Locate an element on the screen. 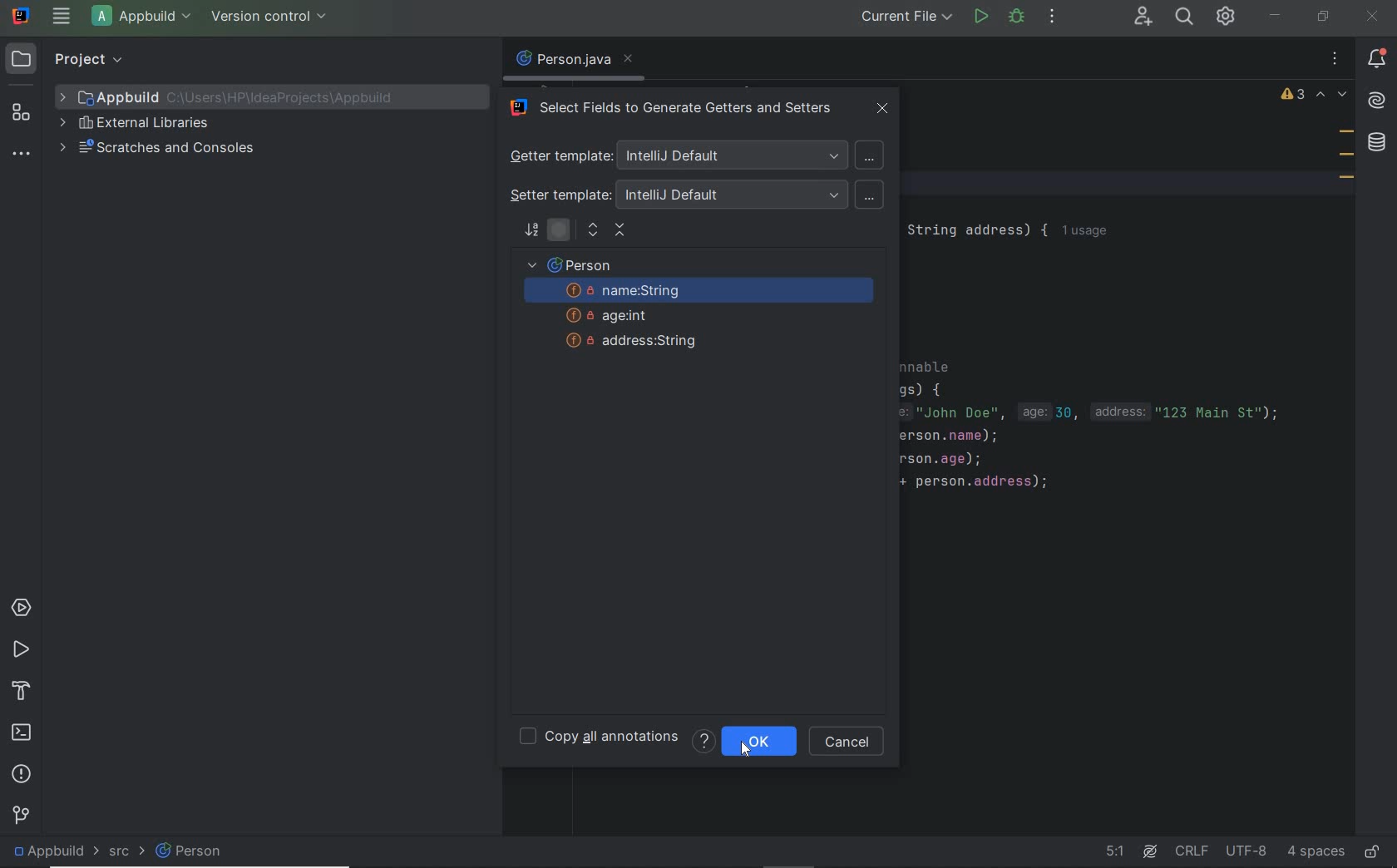 Image resolution: width=1397 pixels, height=868 pixels. Ok is located at coordinates (776, 742).